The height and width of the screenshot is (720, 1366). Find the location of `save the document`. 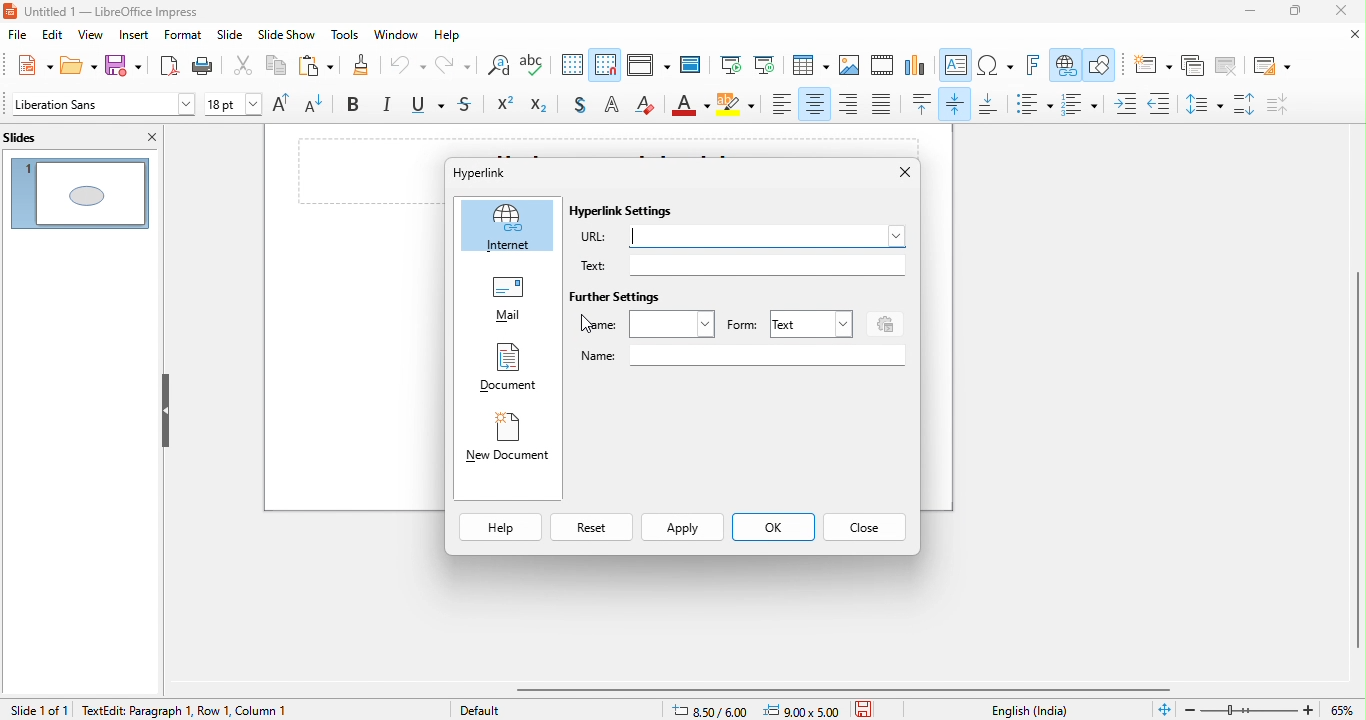

save the document is located at coordinates (870, 708).